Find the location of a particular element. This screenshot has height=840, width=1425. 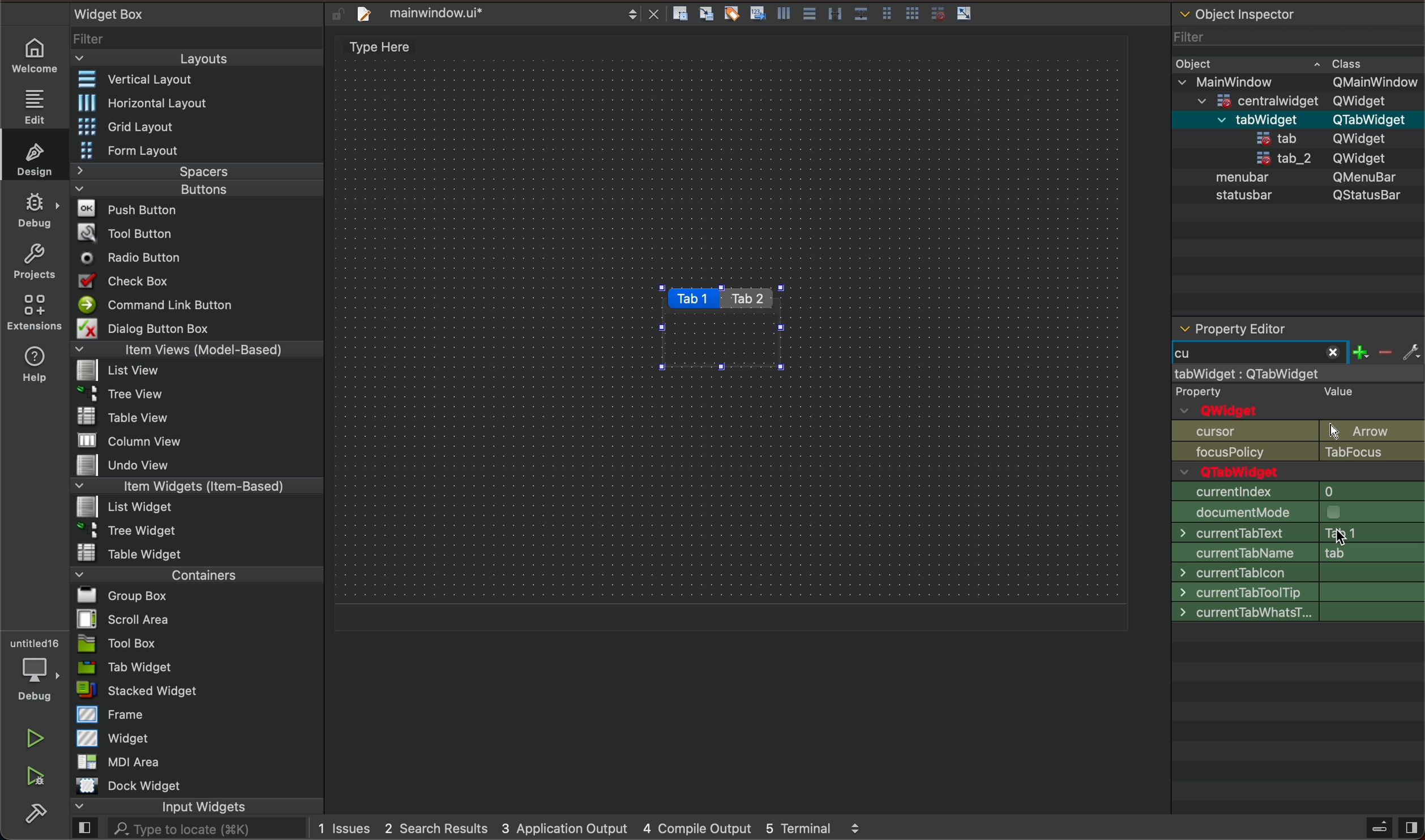

 Tree View is located at coordinates (122, 392).